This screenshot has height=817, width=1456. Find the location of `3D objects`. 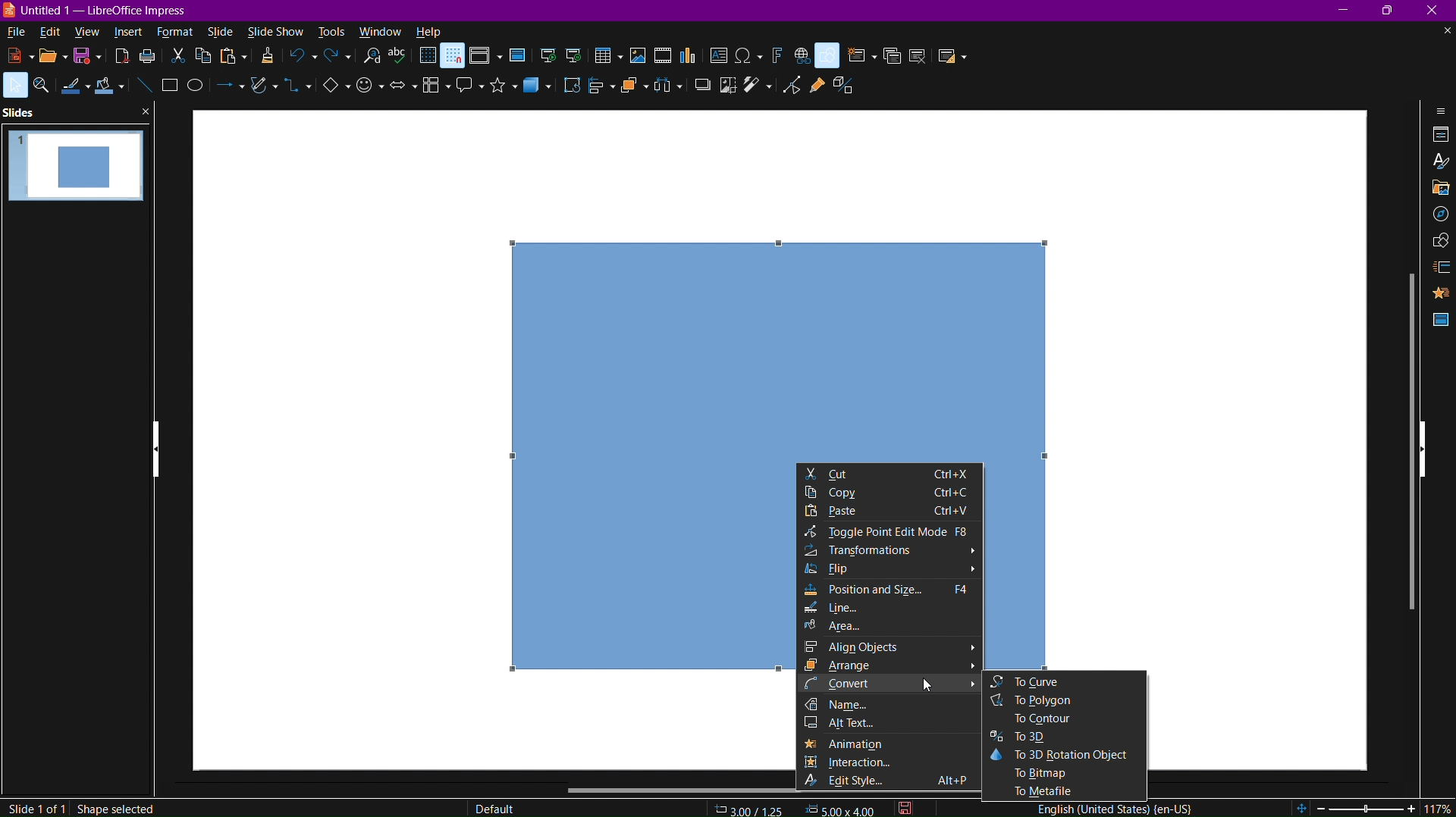

3D objects is located at coordinates (542, 92).